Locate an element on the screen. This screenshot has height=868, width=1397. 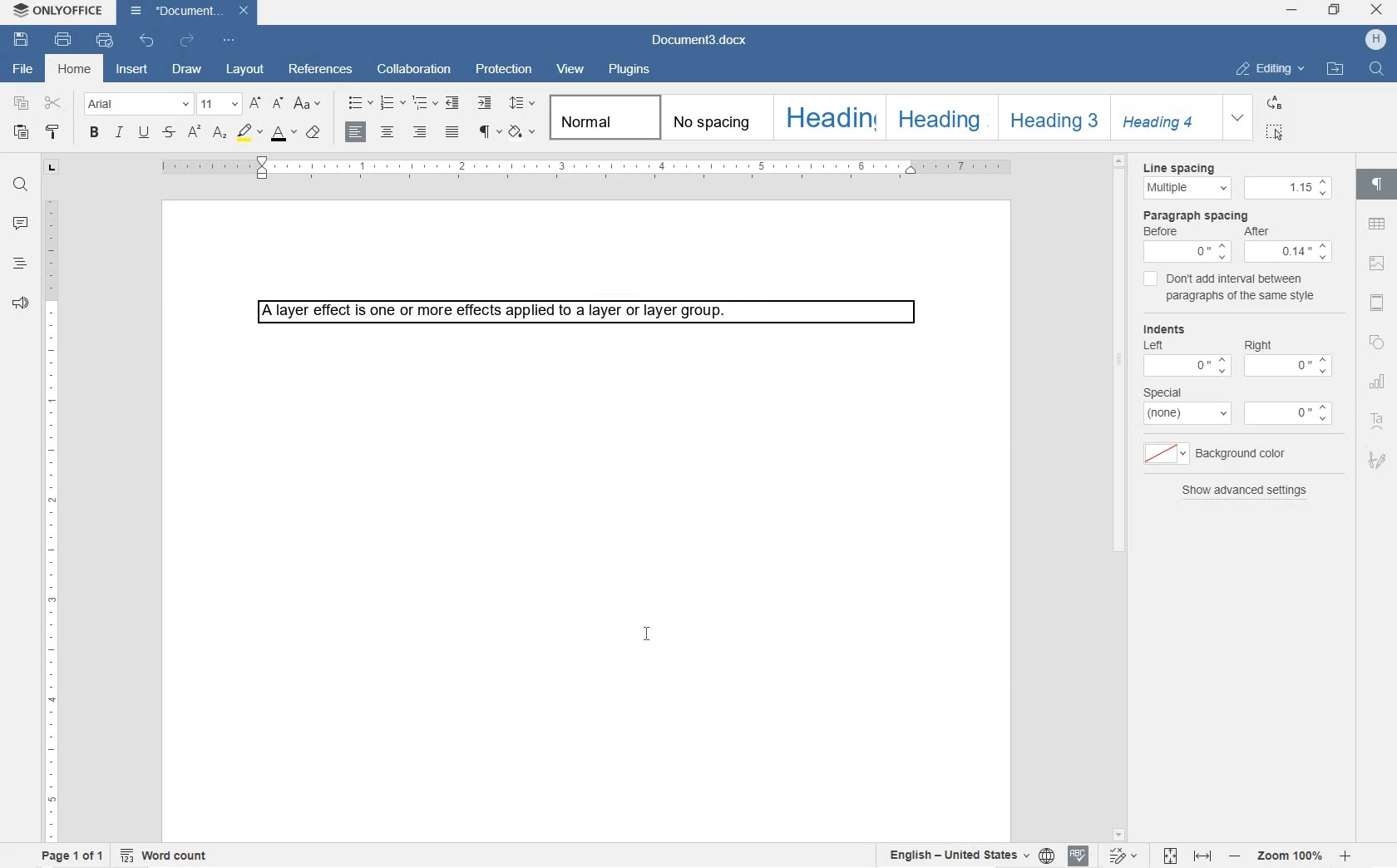
FEEDBACK & SUPPORT is located at coordinates (20, 303).